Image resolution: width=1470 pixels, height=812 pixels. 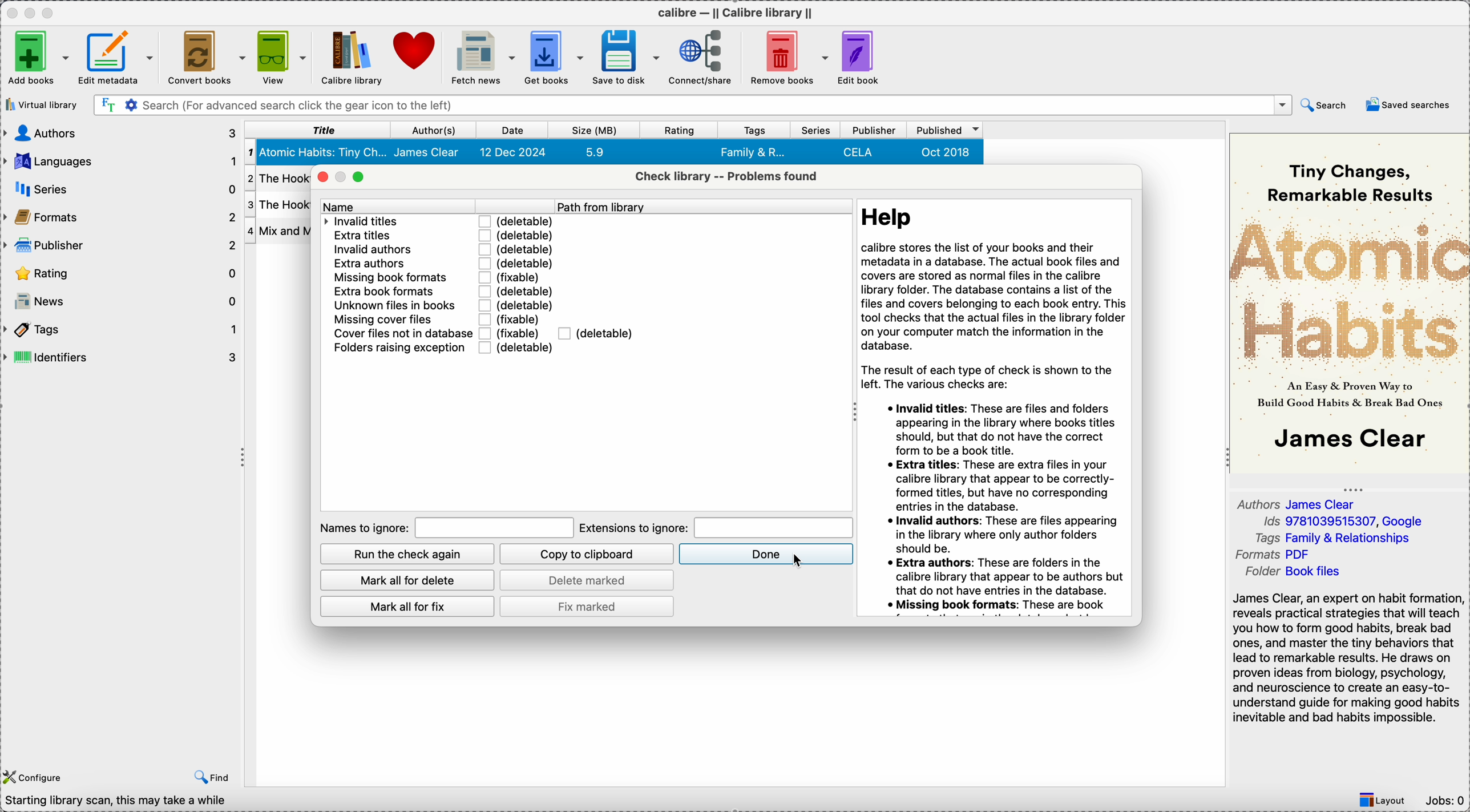 I want to click on authors, so click(x=1297, y=504).